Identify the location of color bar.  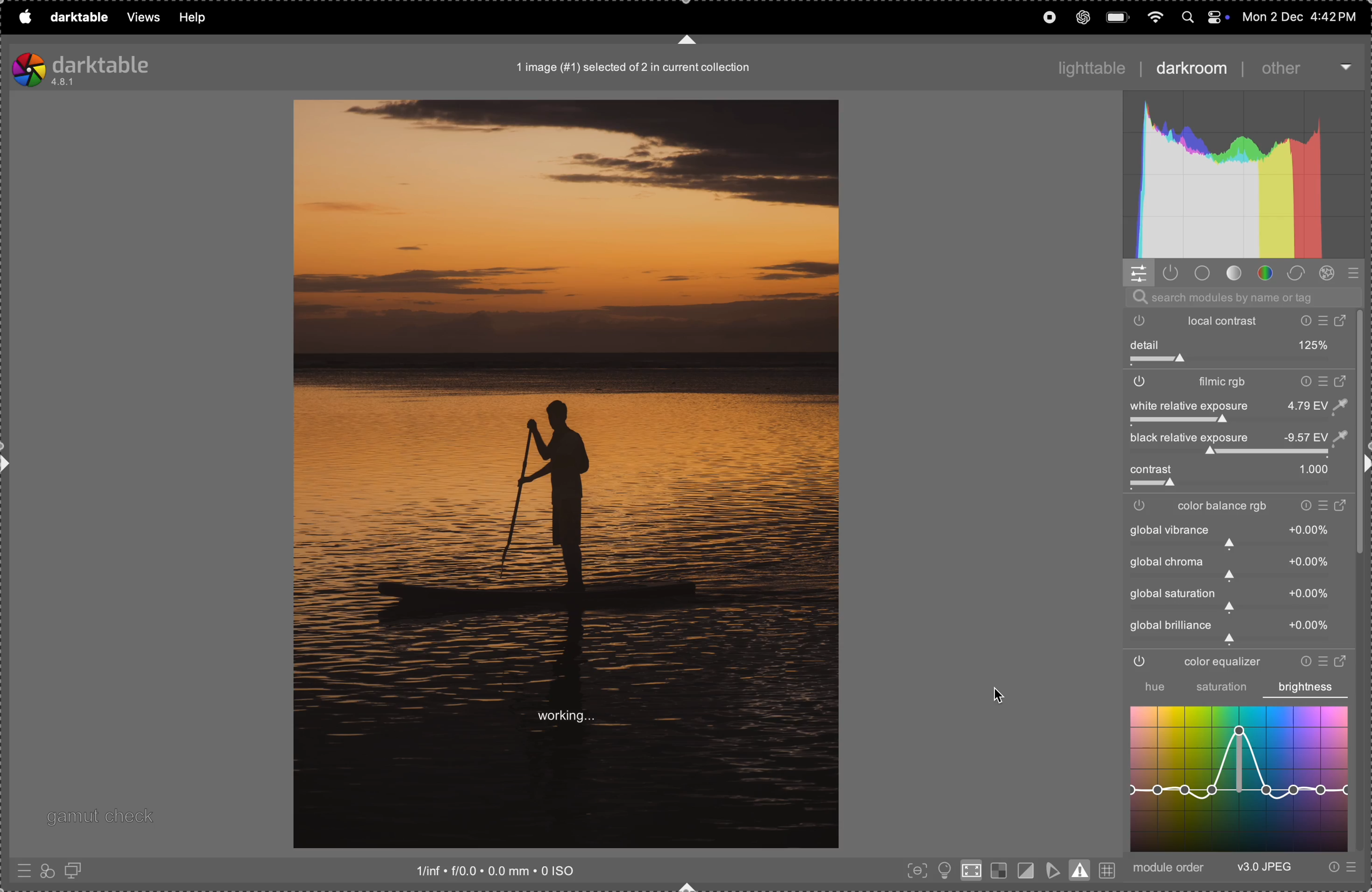
(1243, 507).